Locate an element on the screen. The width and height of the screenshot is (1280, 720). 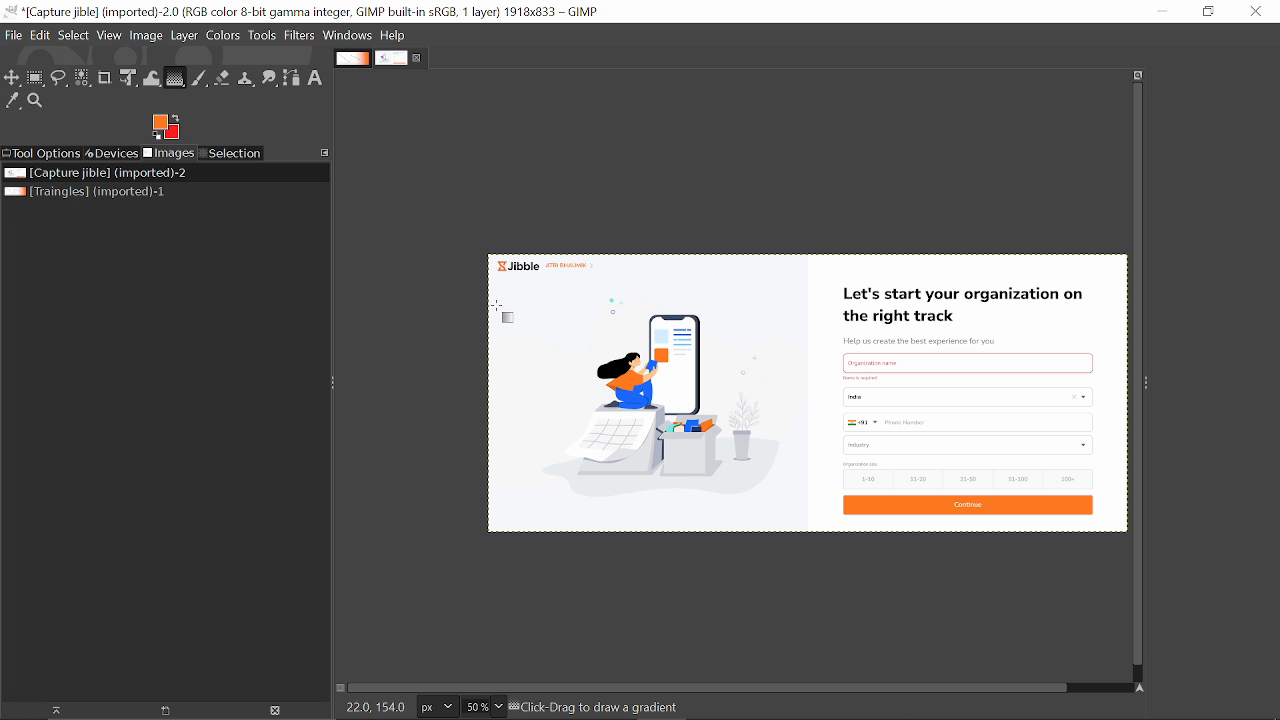
Current file is located at coordinates (96, 173).